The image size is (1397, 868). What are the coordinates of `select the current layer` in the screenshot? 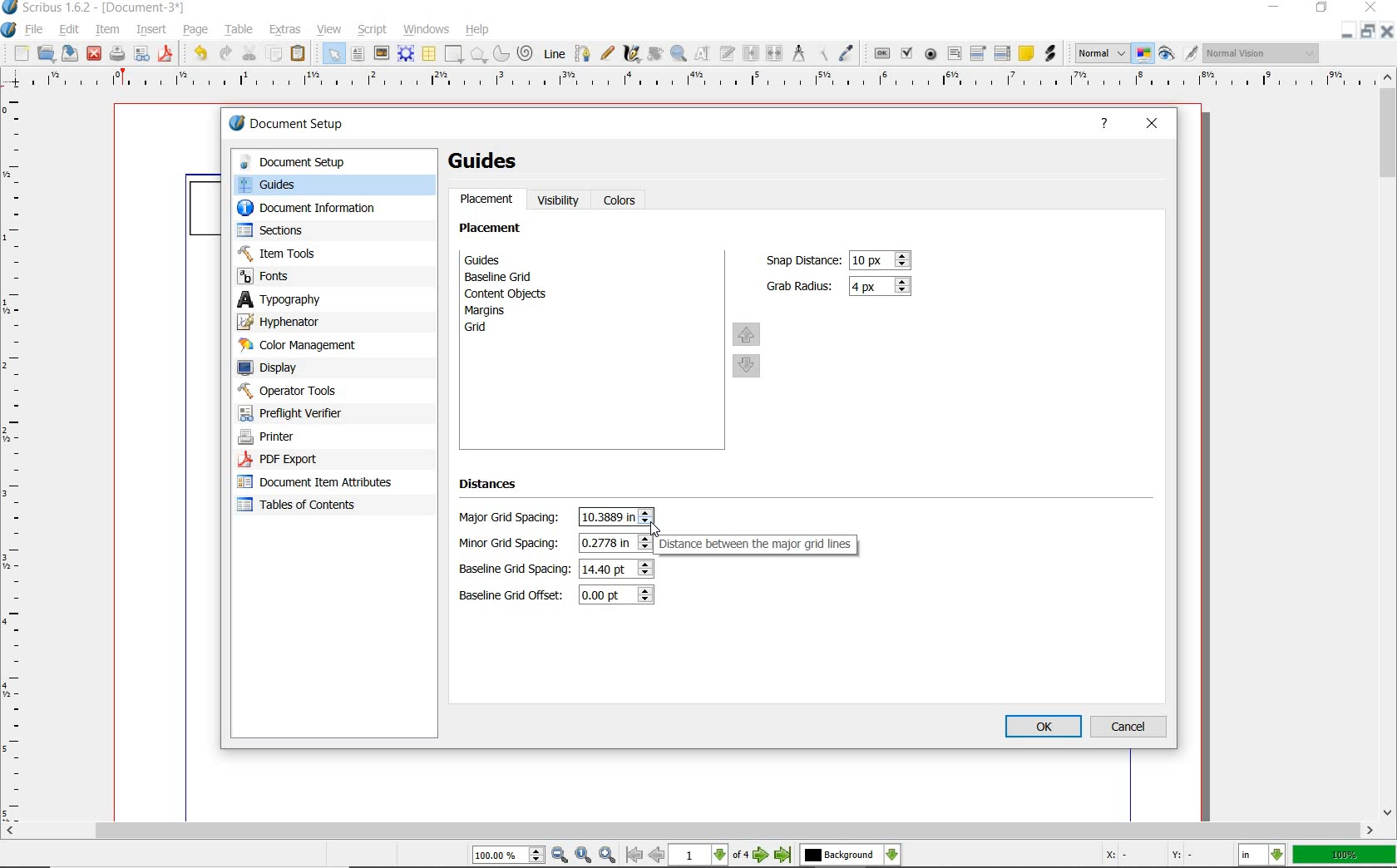 It's located at (851, 856).